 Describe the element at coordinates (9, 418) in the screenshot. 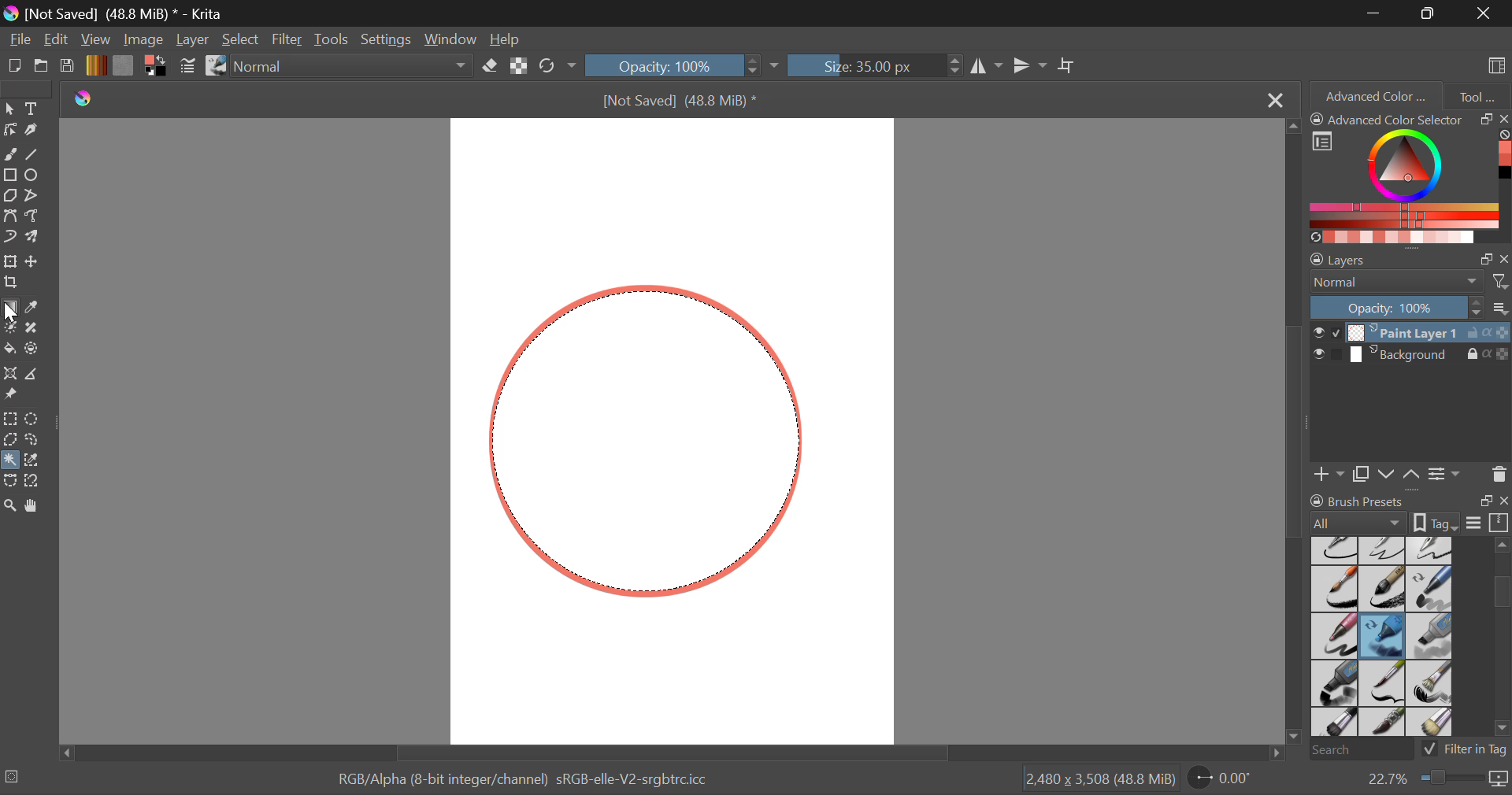

I see `Rectangle Selection Tool` at that location.